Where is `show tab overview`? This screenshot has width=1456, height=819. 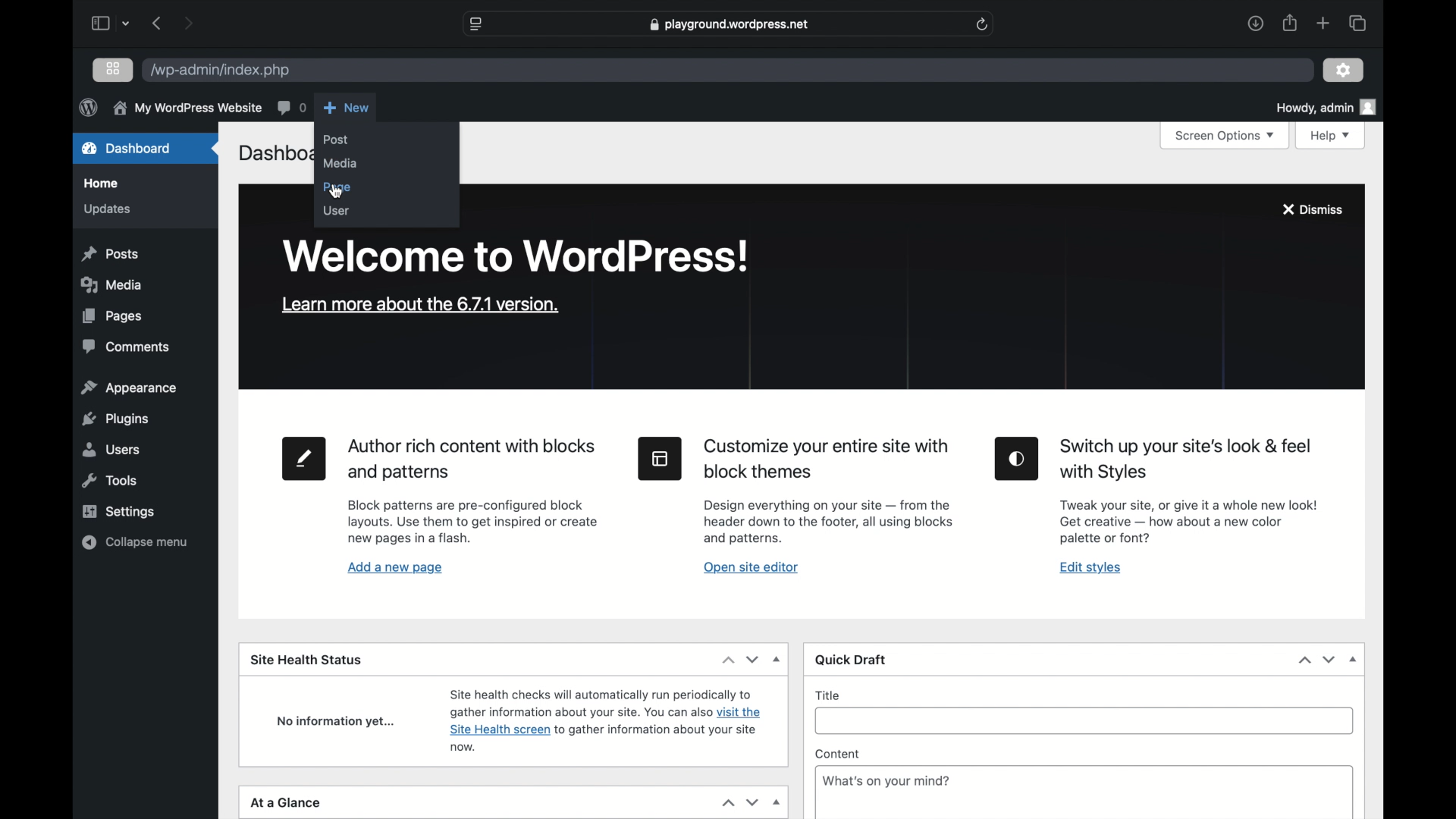 show tab overview is located at coordinates (1357, 23).